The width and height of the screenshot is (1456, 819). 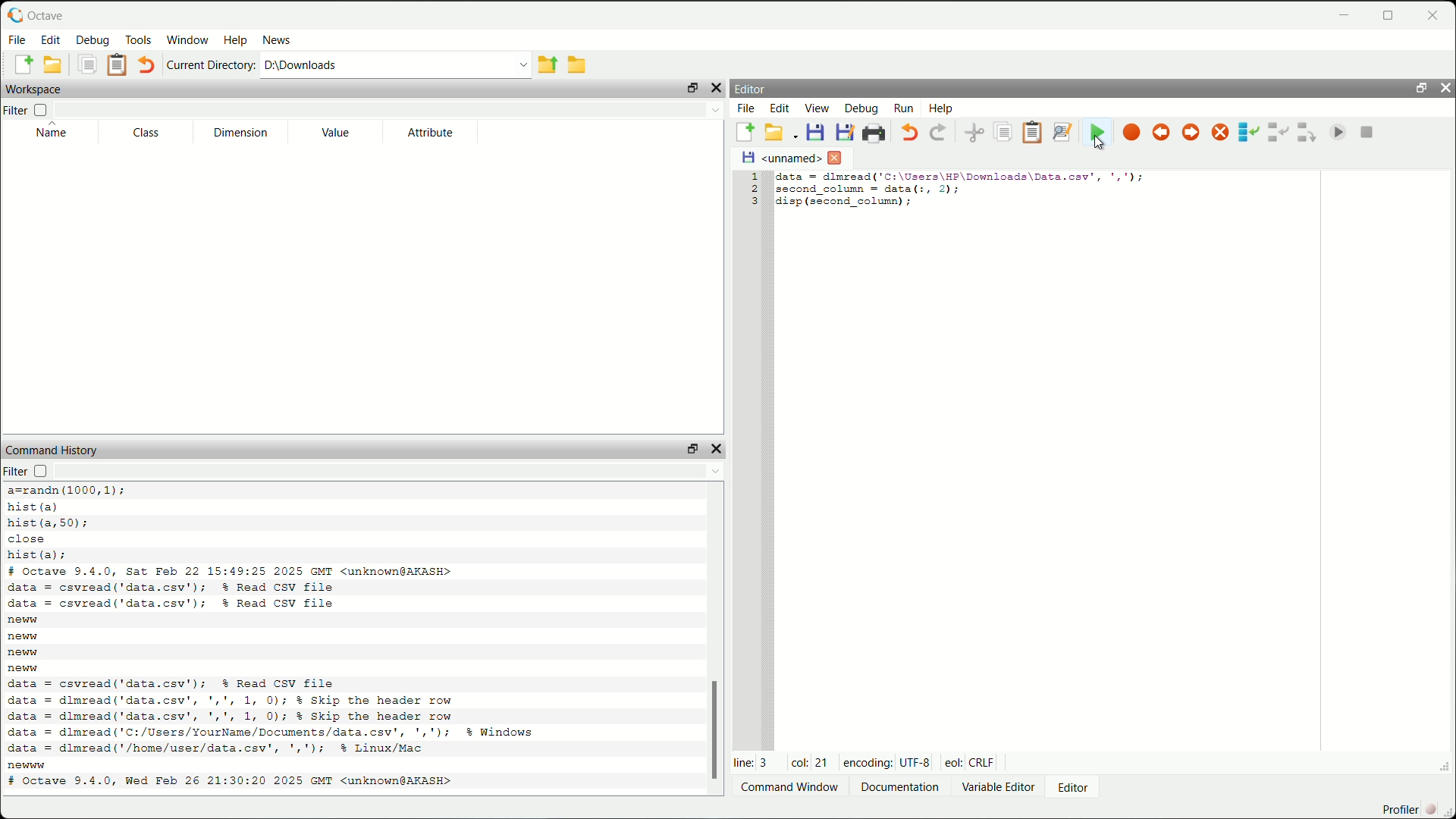 I want to click on file, so click(x=17, y=39).